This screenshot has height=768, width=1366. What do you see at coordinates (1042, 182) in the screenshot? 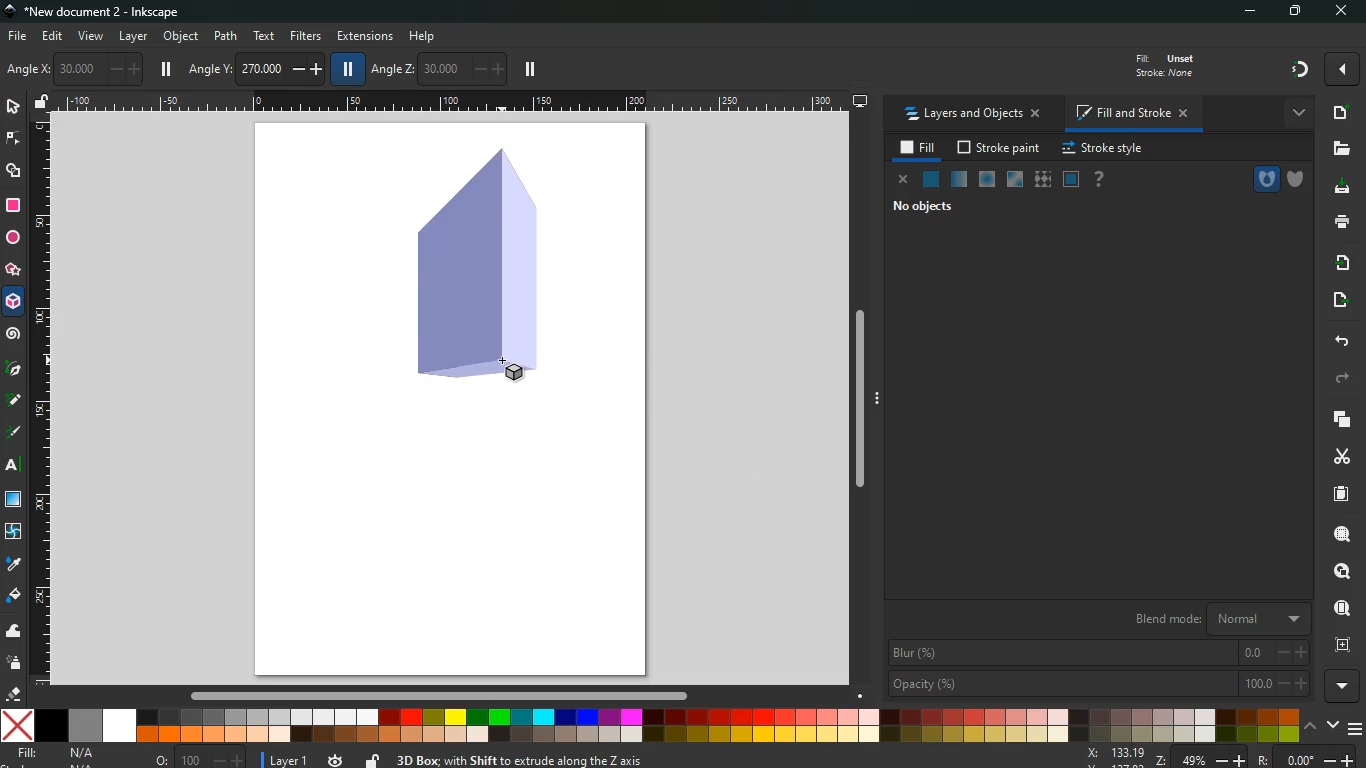
I see `texture` at bounding box center [1042, 182].